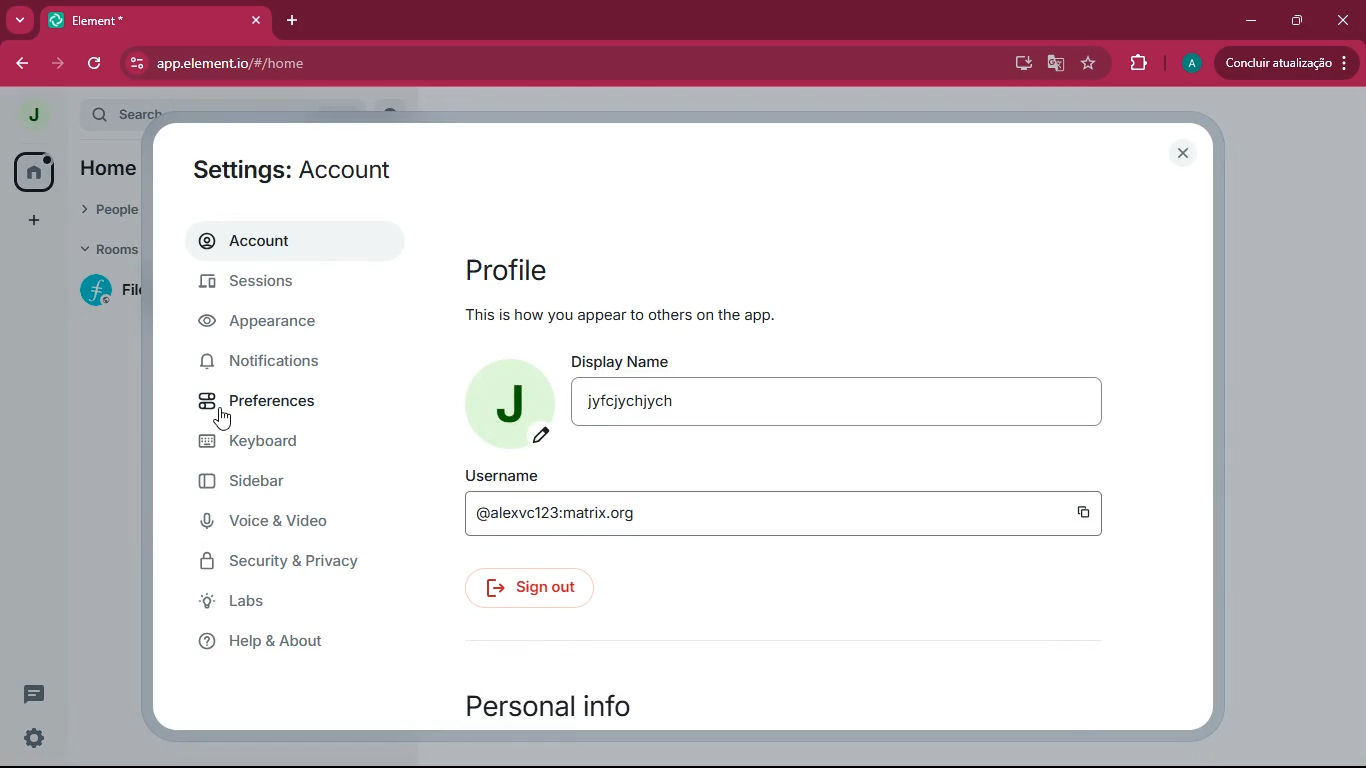  What do you see at coordinates (621, 362) in the screenshot?
I see `display name` at bounding box center [621, 362].